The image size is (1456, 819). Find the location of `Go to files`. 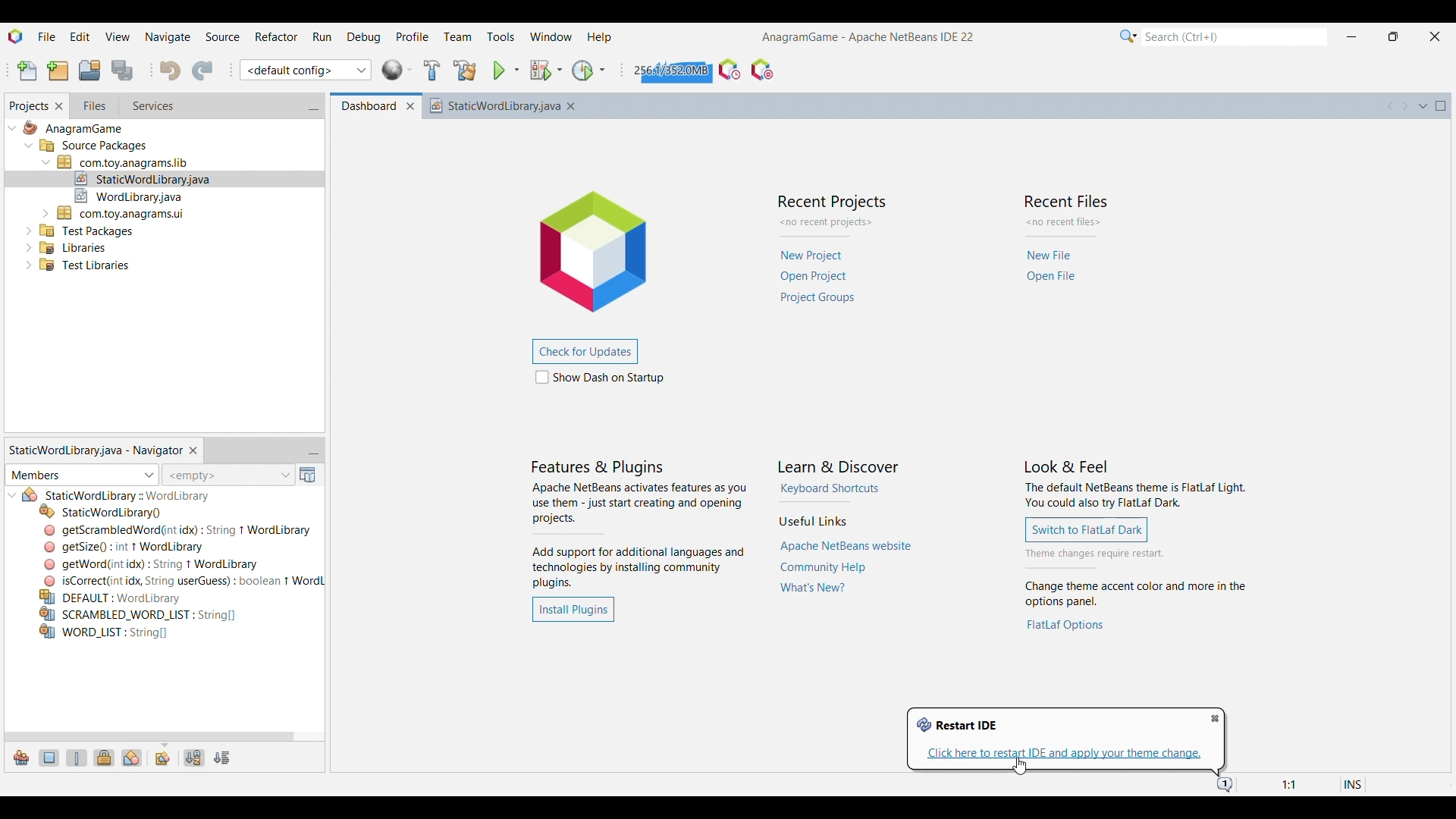

Go to files is located at coordinates (93, 105).